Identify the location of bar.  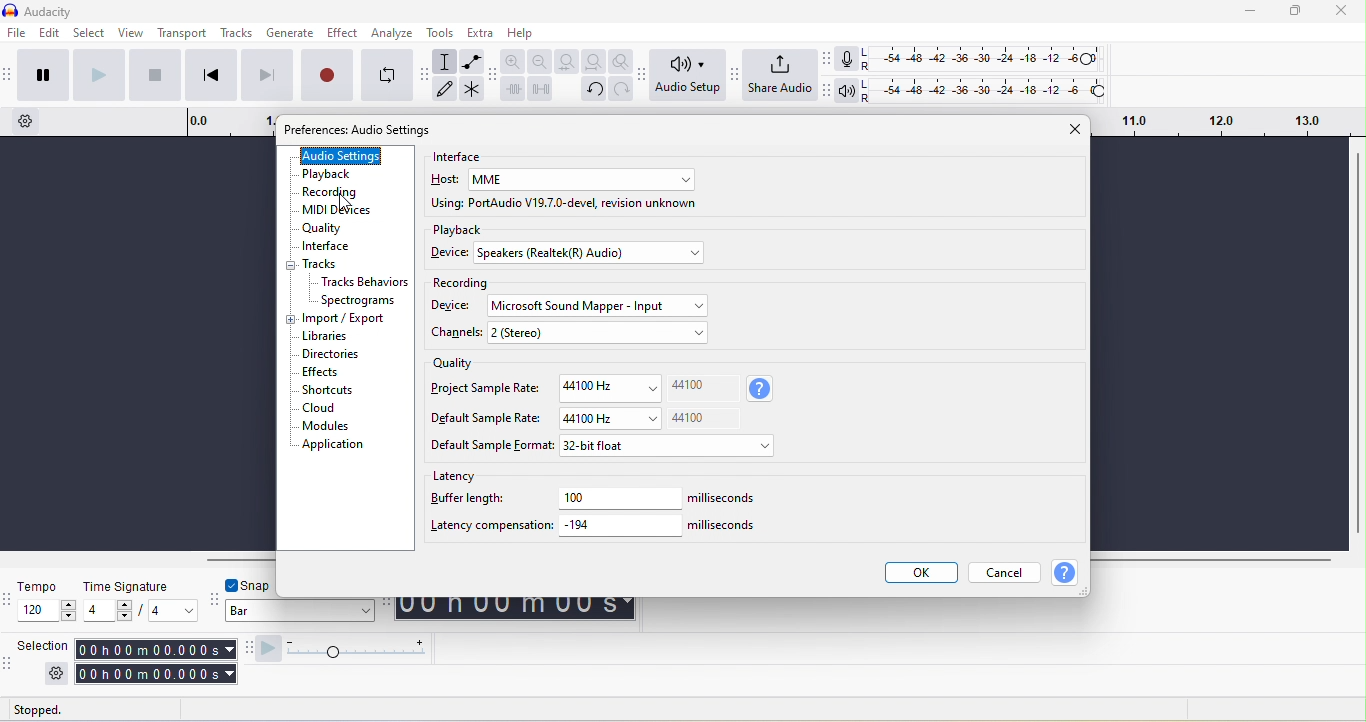
(307, 613).